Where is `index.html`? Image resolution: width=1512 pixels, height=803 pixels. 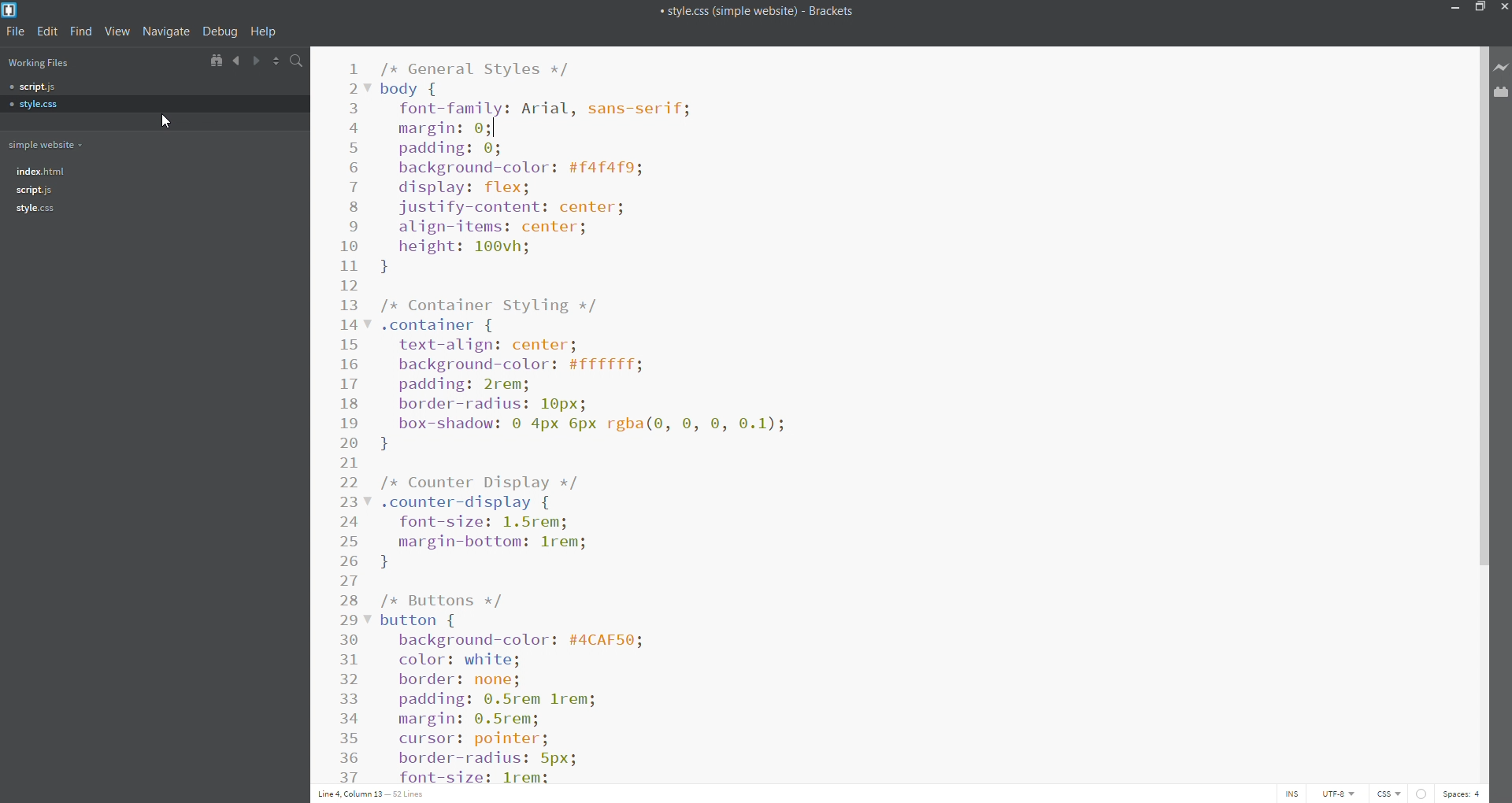 index.html is located at coordinates (152, 171).